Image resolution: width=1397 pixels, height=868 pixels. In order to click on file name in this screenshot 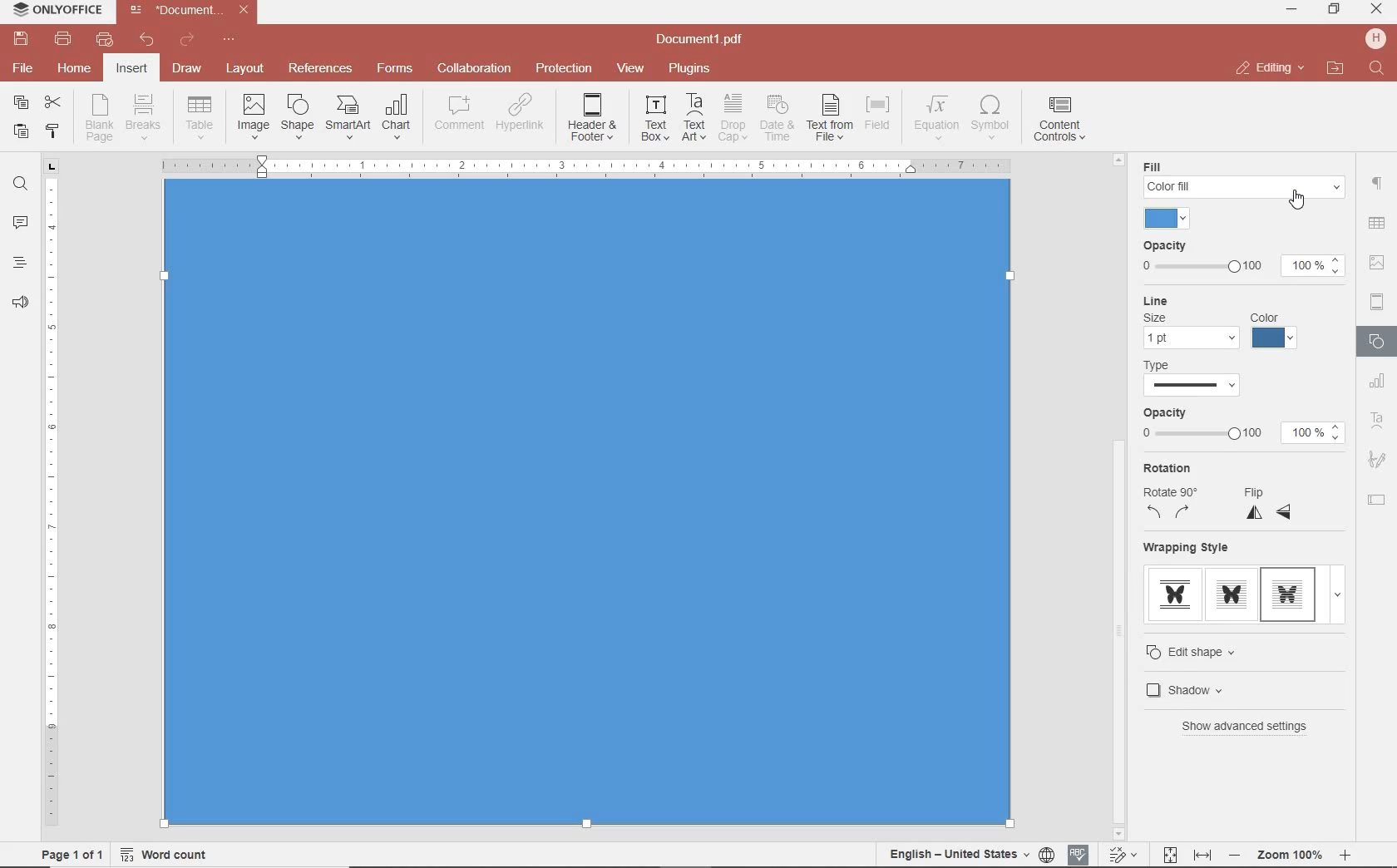, I will do `click(704, 40)`.